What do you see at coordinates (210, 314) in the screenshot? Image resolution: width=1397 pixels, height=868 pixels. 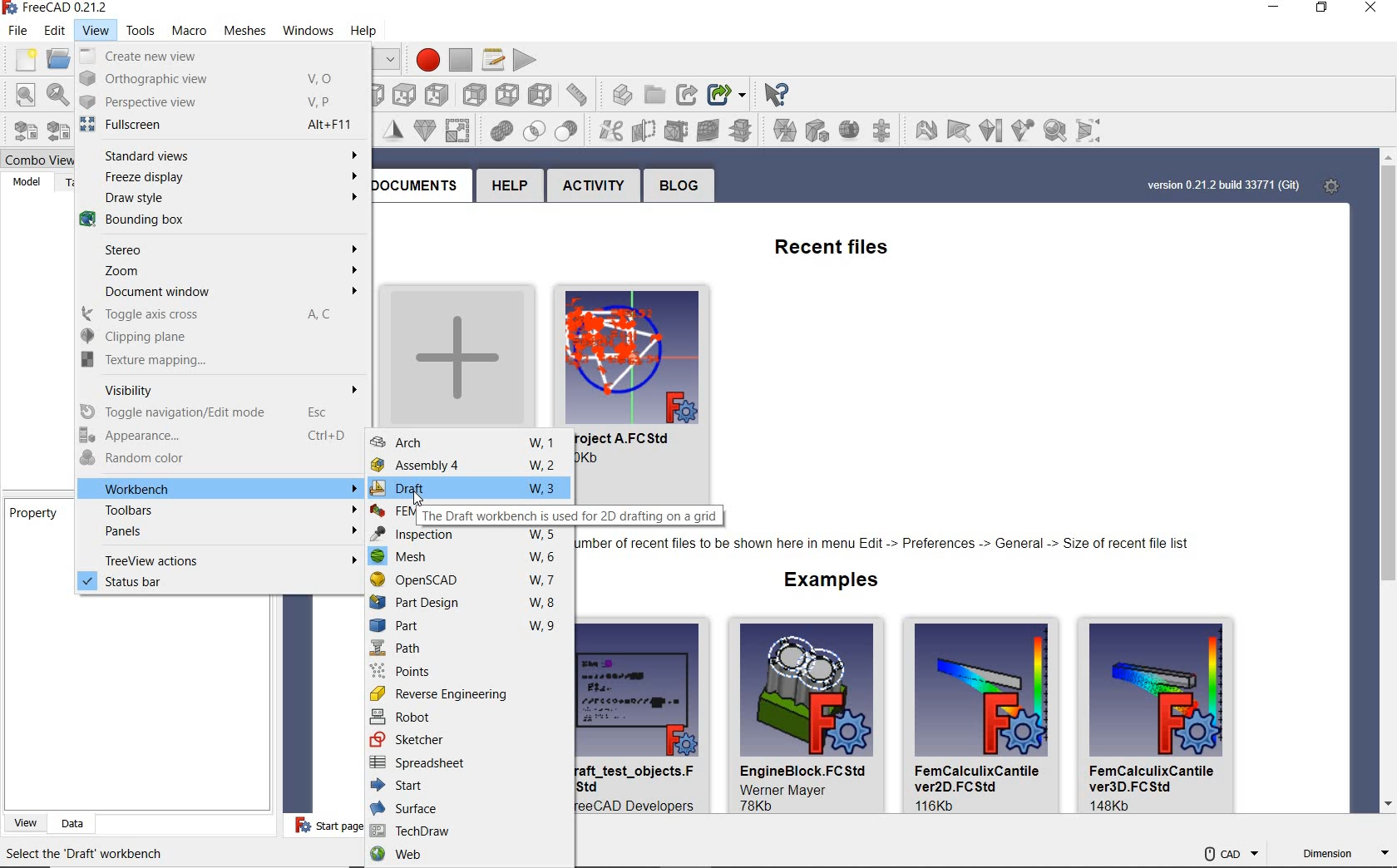 I see `toggle axis cross` at bounding box center [210, 314].